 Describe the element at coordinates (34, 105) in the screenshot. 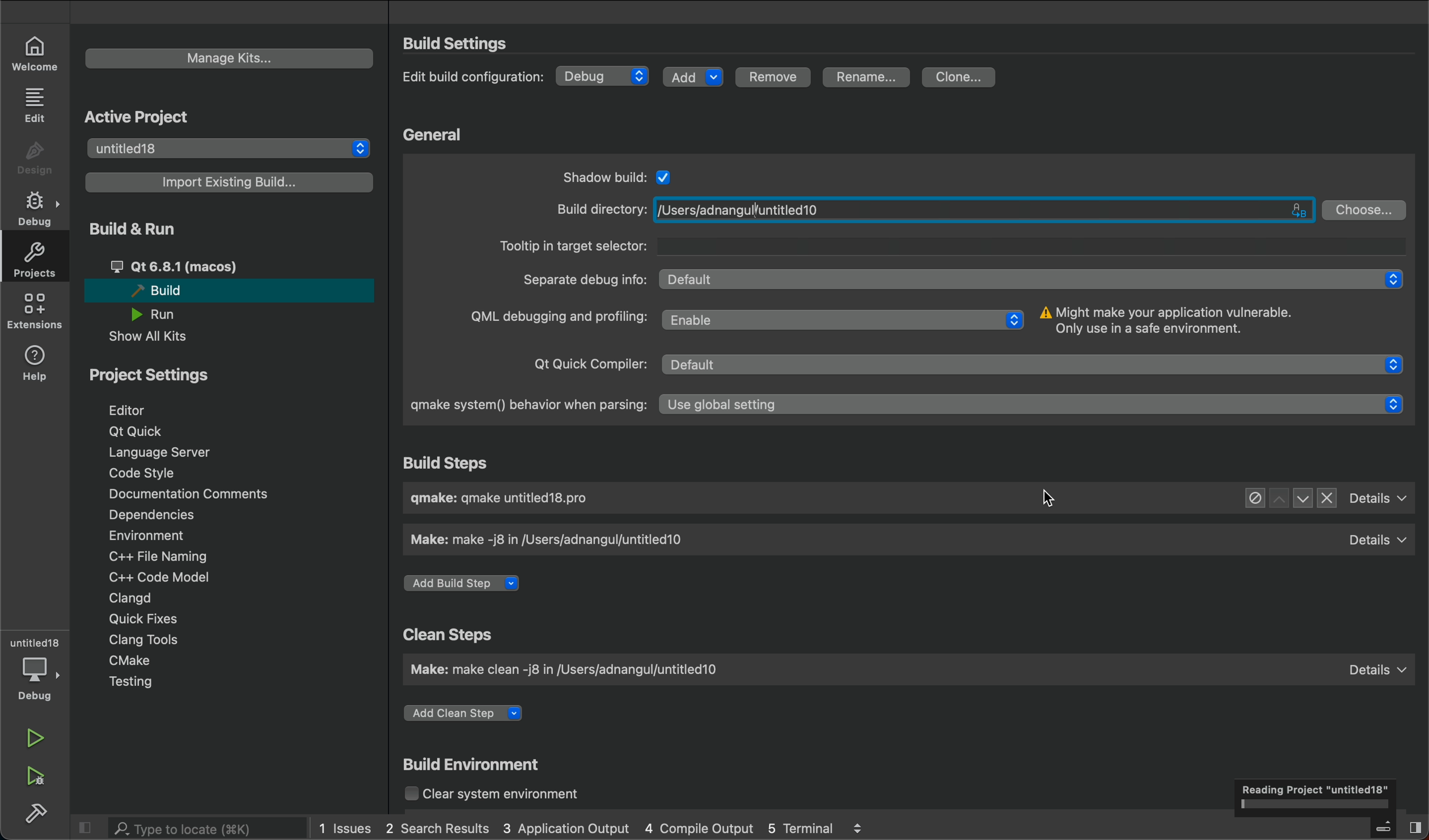

I see `edit` at that location.